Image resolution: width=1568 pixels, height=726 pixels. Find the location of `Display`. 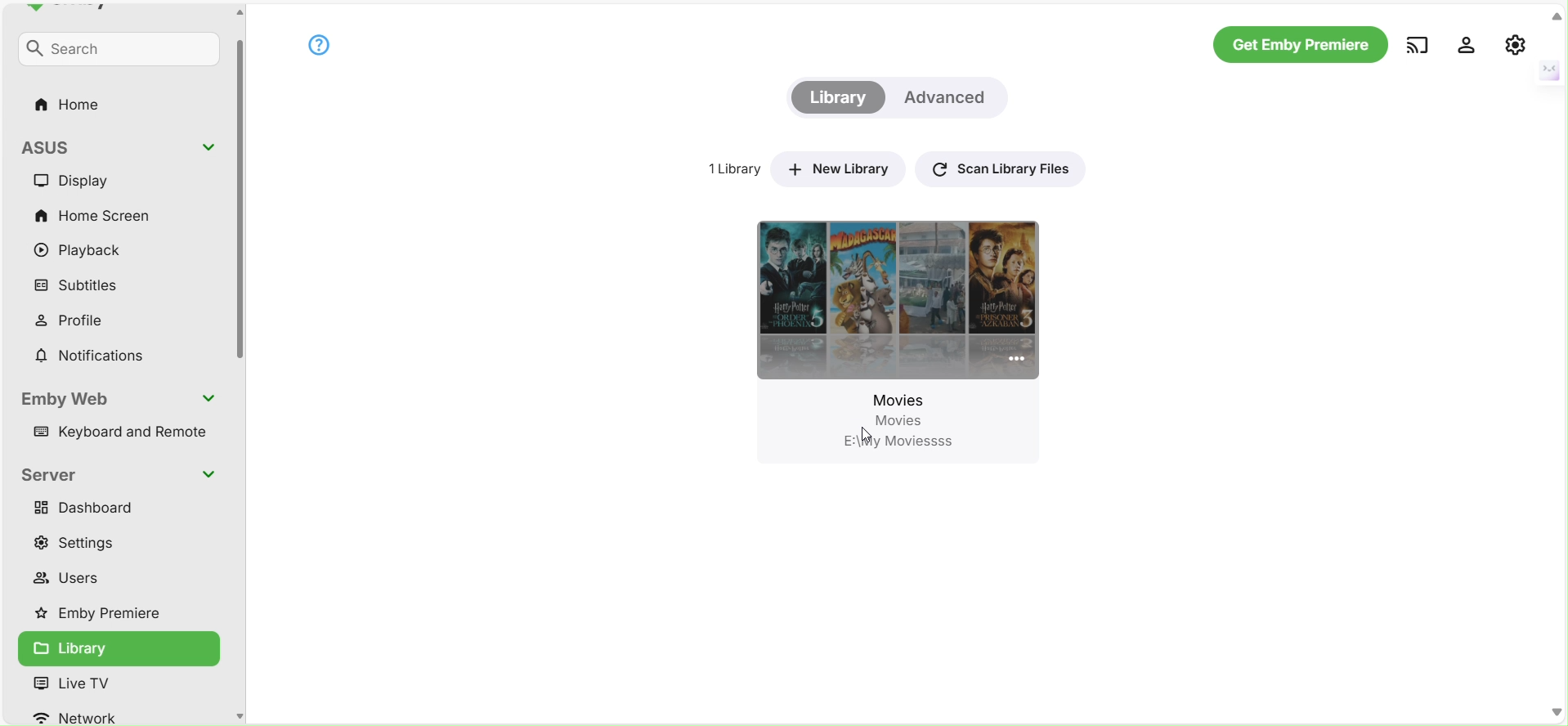

Display is located at coordinates (90, 183).